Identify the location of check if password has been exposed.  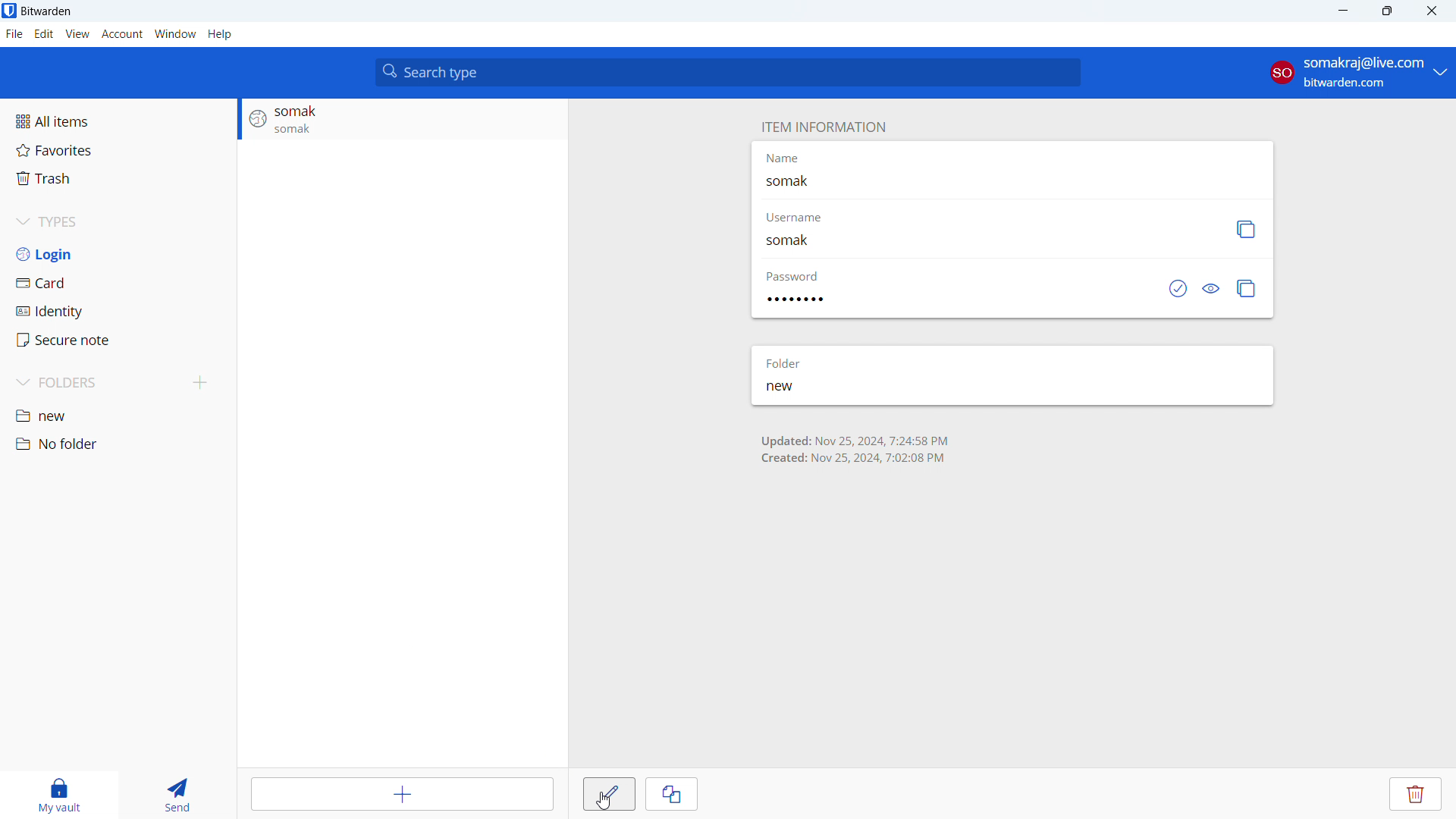
(1178, 288).